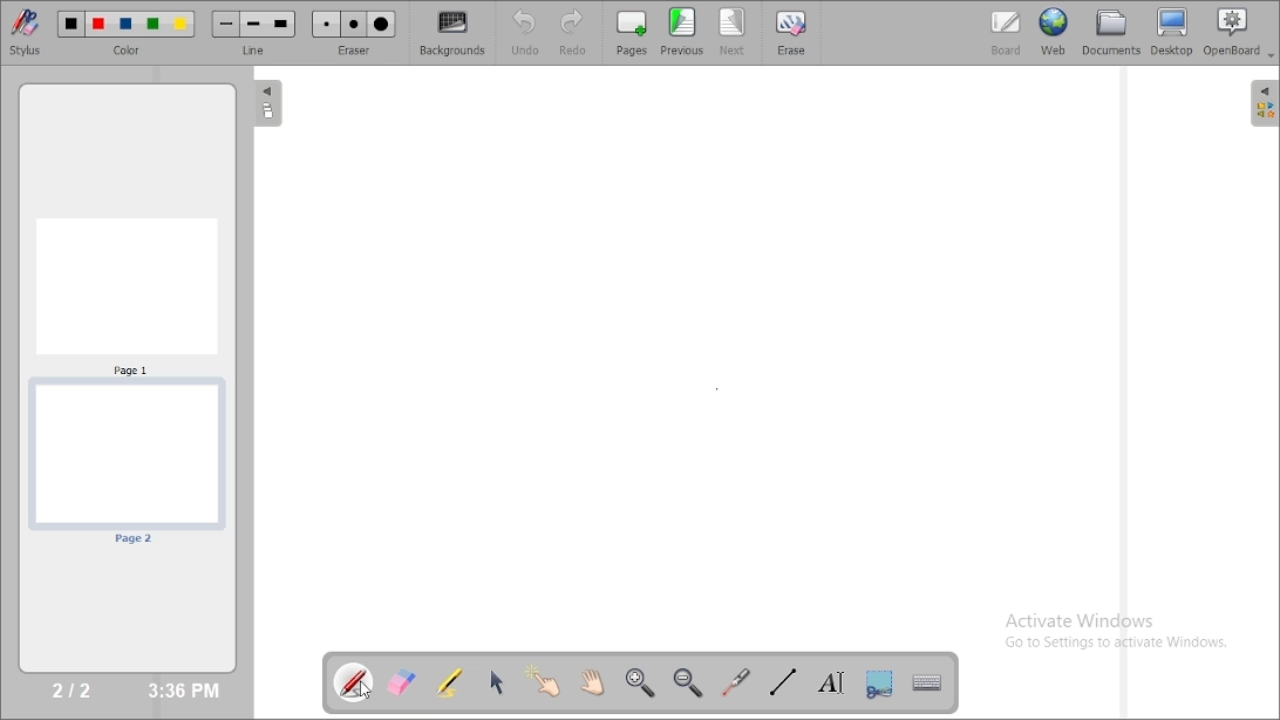  Describe the element at coordinates (255, 24) in the screenshot. I see `Medium line` at that location.